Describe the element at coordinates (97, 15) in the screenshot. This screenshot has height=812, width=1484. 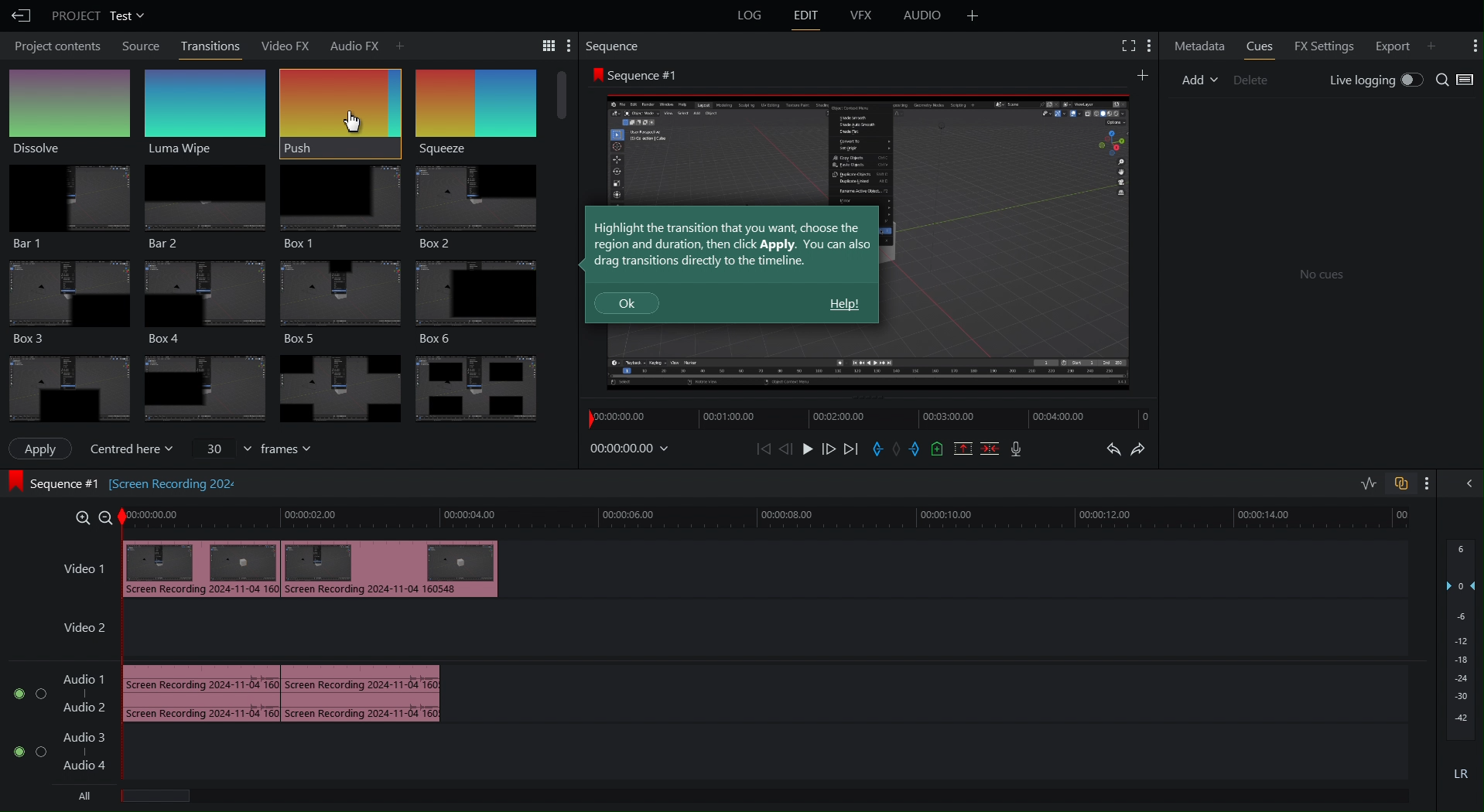
I see `Project Test` at that location.